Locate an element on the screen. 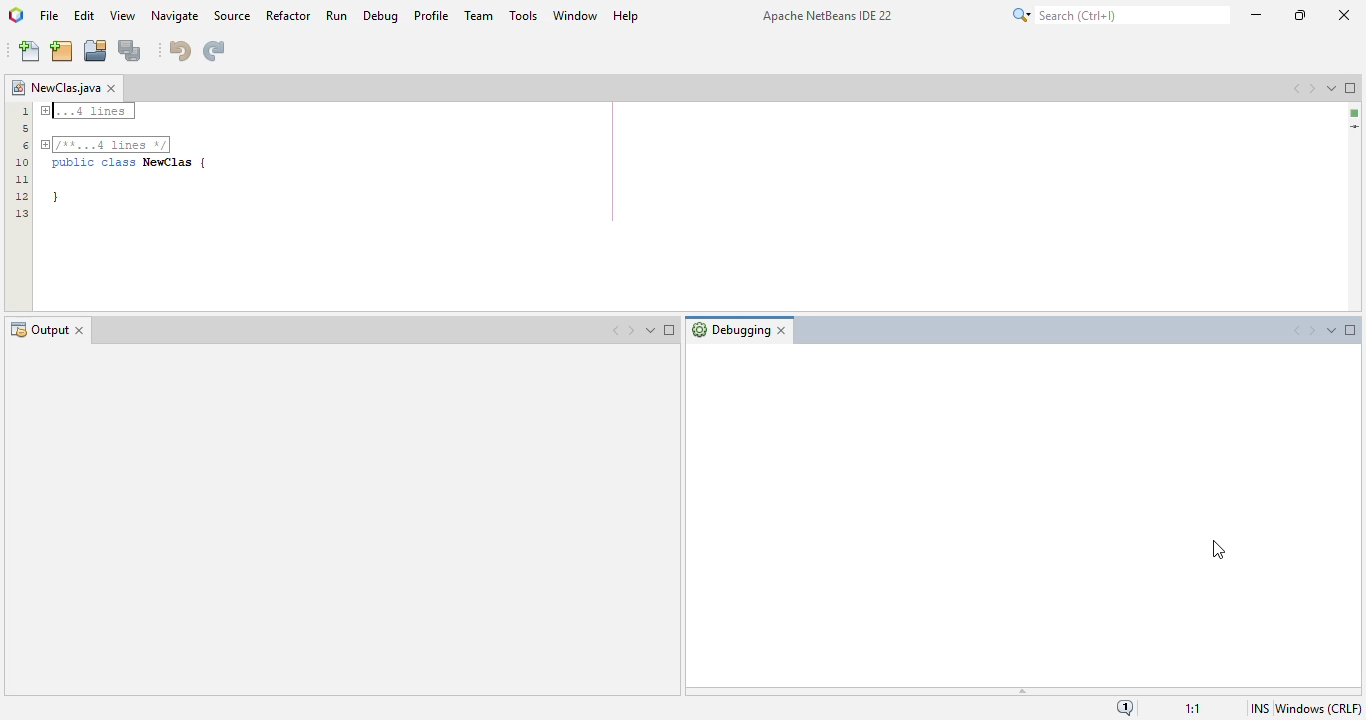  logo is located at coordinates (17, 16).